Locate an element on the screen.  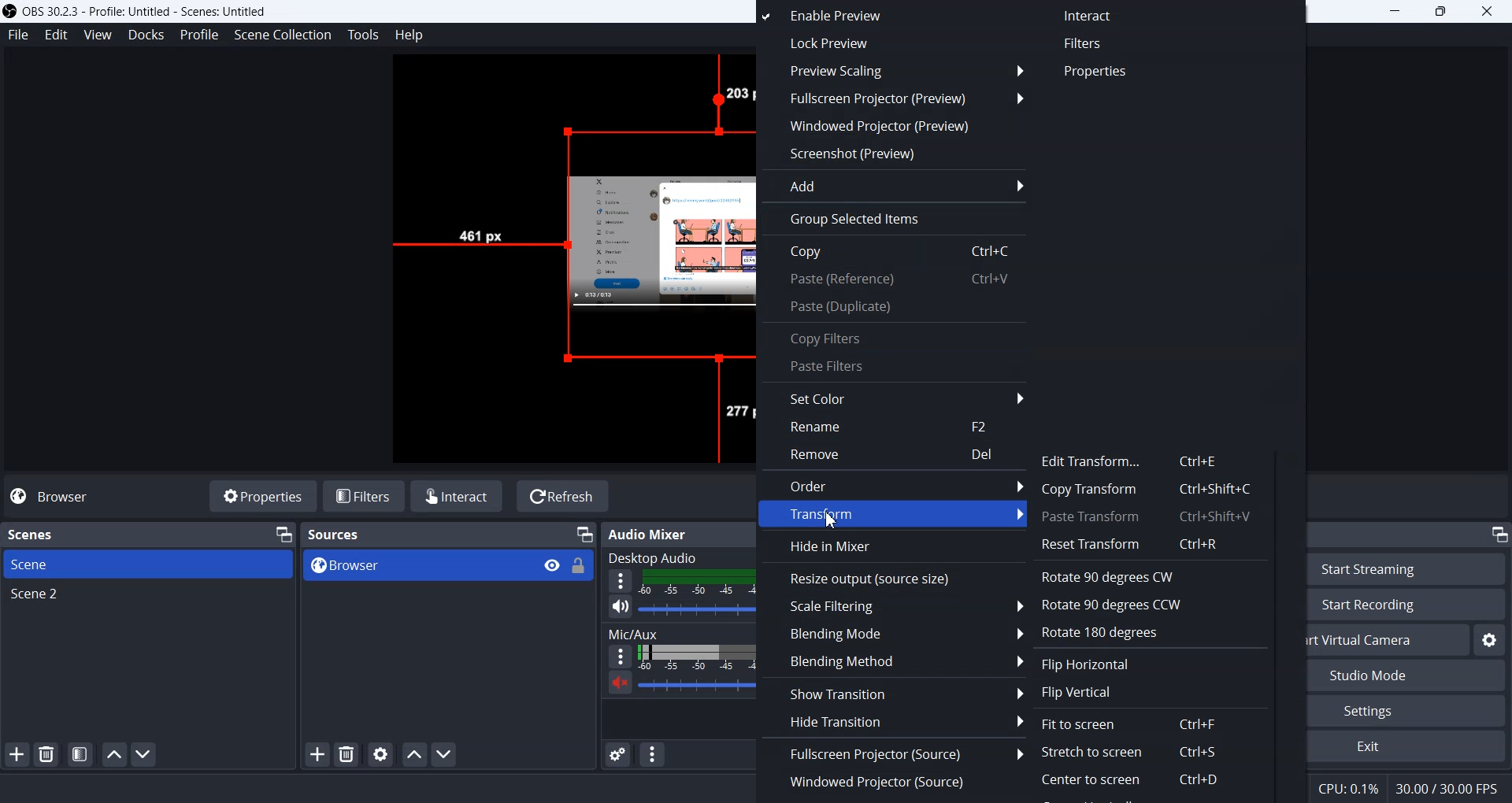
Move scene up is located at coordinates (113, 755).